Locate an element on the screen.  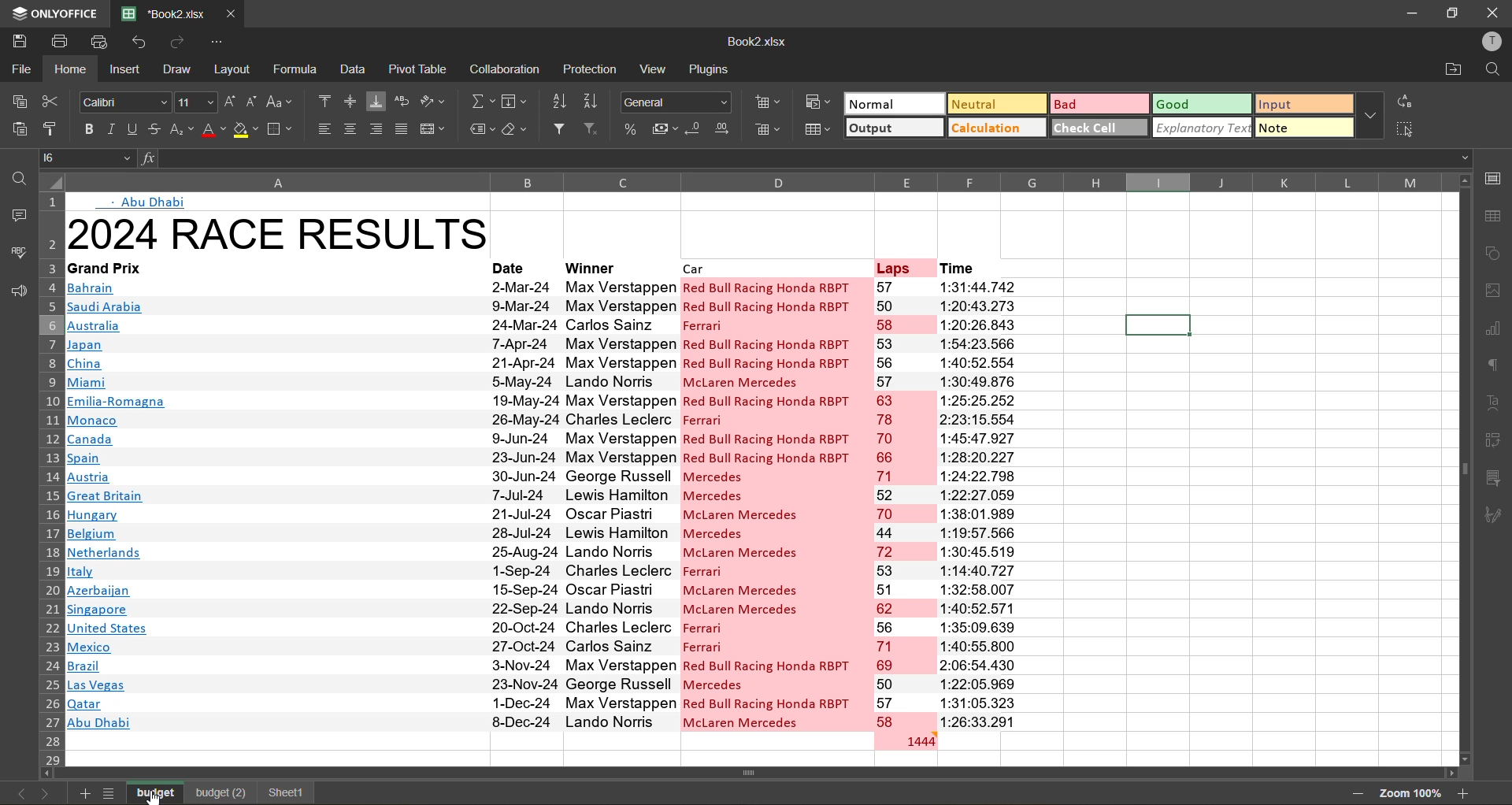
font style is located at coordinates (126, 103).